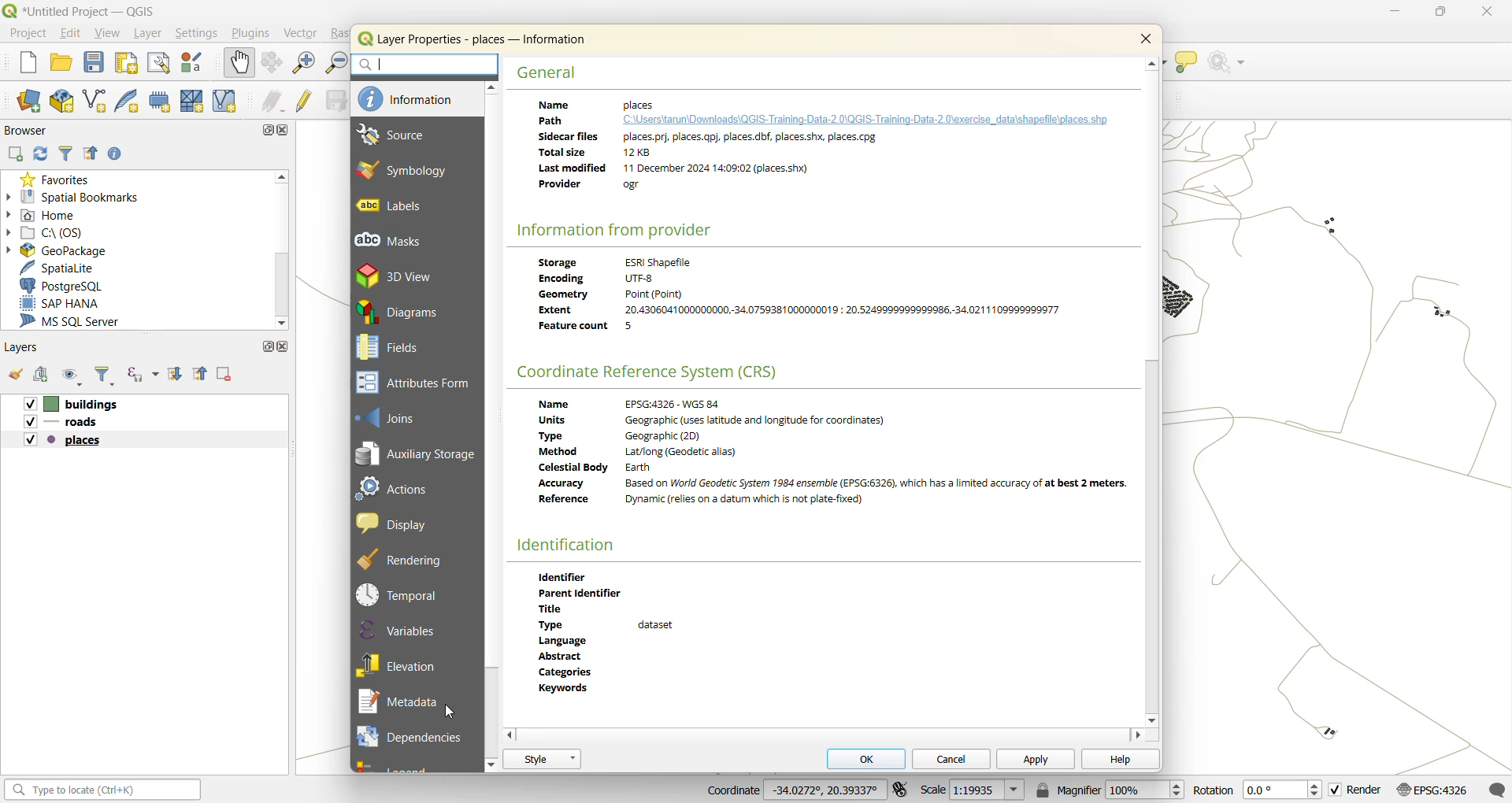  What do you see at coordinates (1029, 758) in the screenshot?
I see `apply` at bounding box center [1029, 758].